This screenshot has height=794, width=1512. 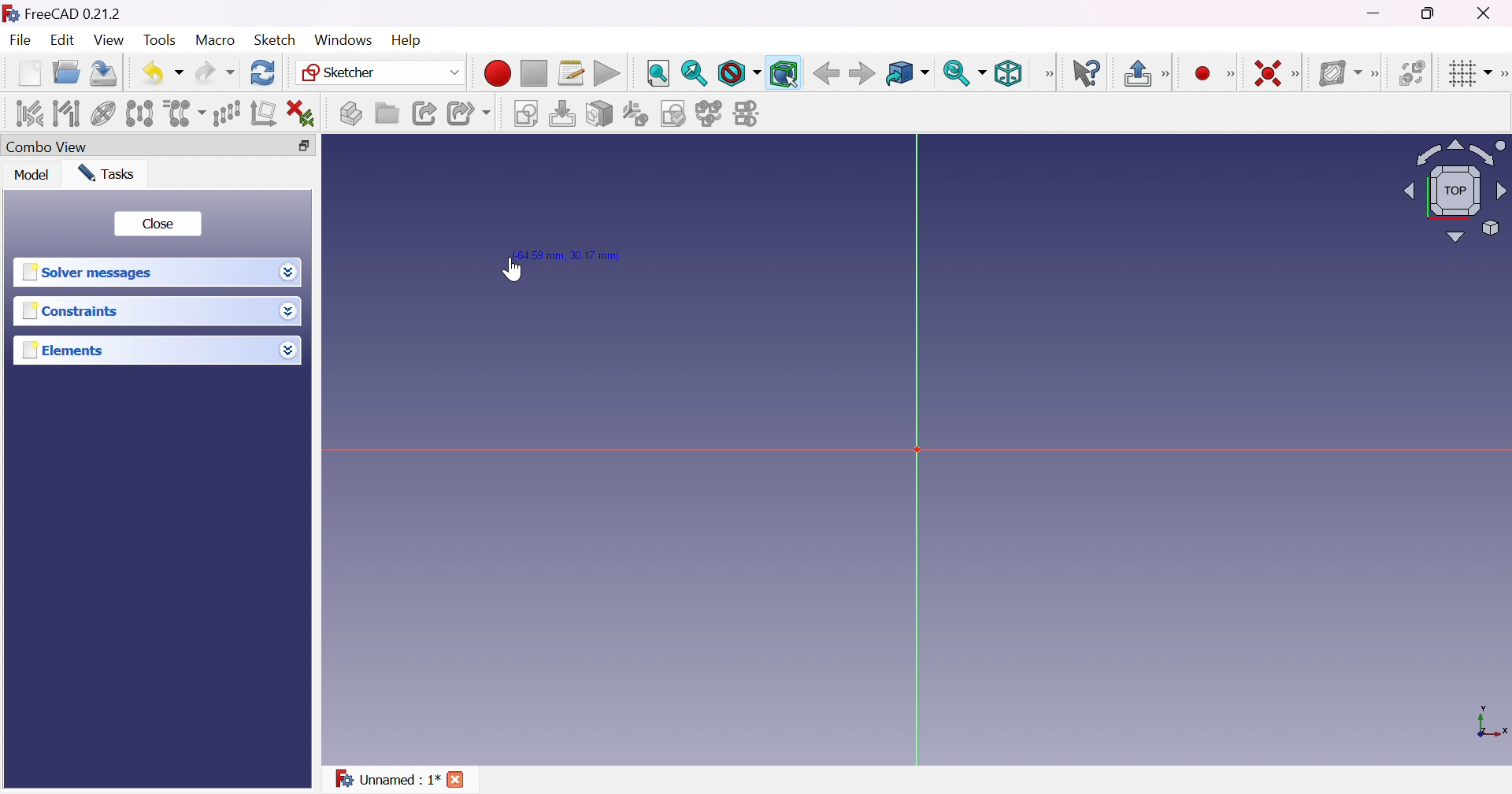 I want to click on Select associated constraints, so click(x=29, y=113).